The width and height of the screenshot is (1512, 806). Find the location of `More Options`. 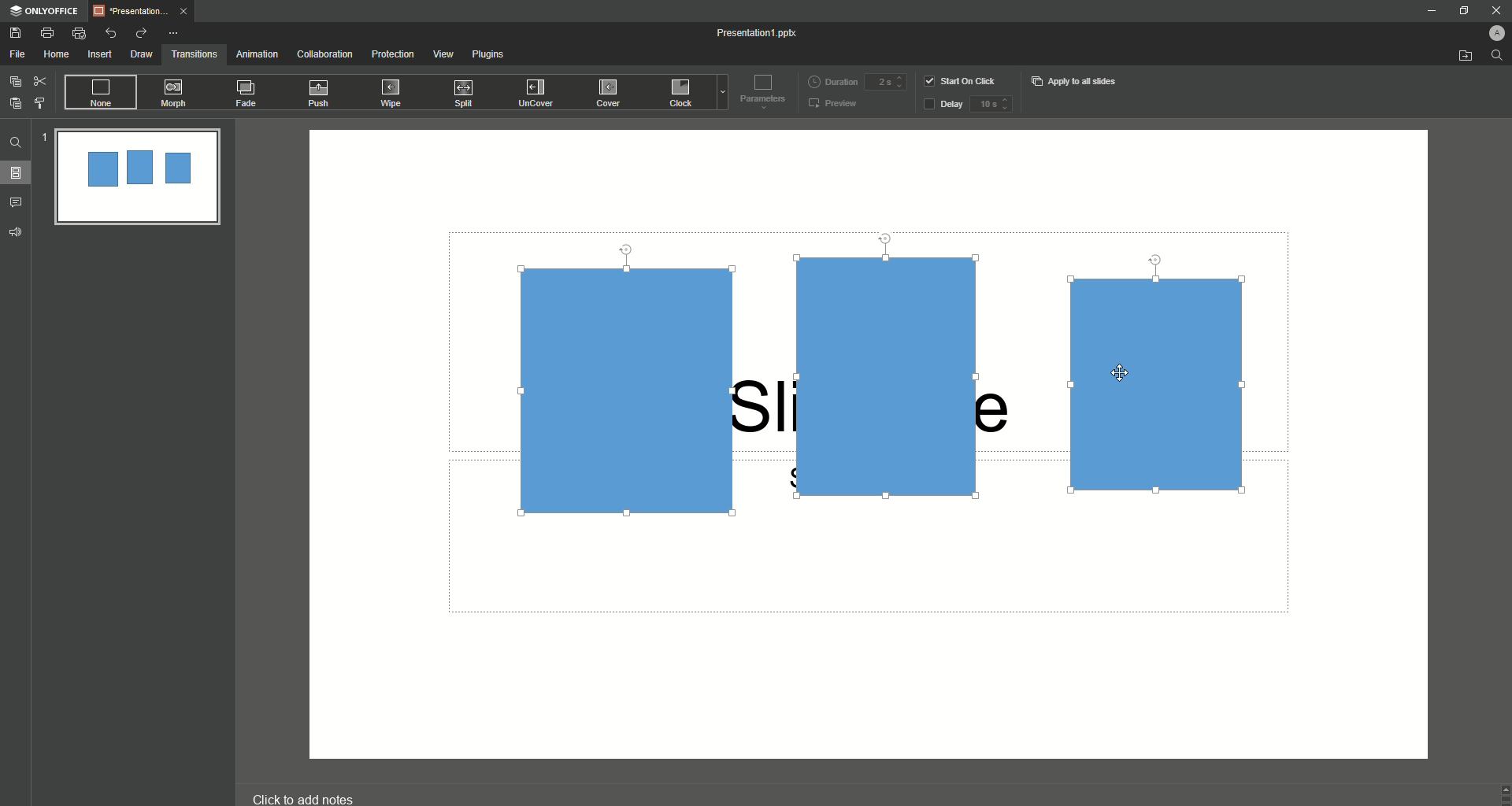

More Options is located at coordinates (176, 33).